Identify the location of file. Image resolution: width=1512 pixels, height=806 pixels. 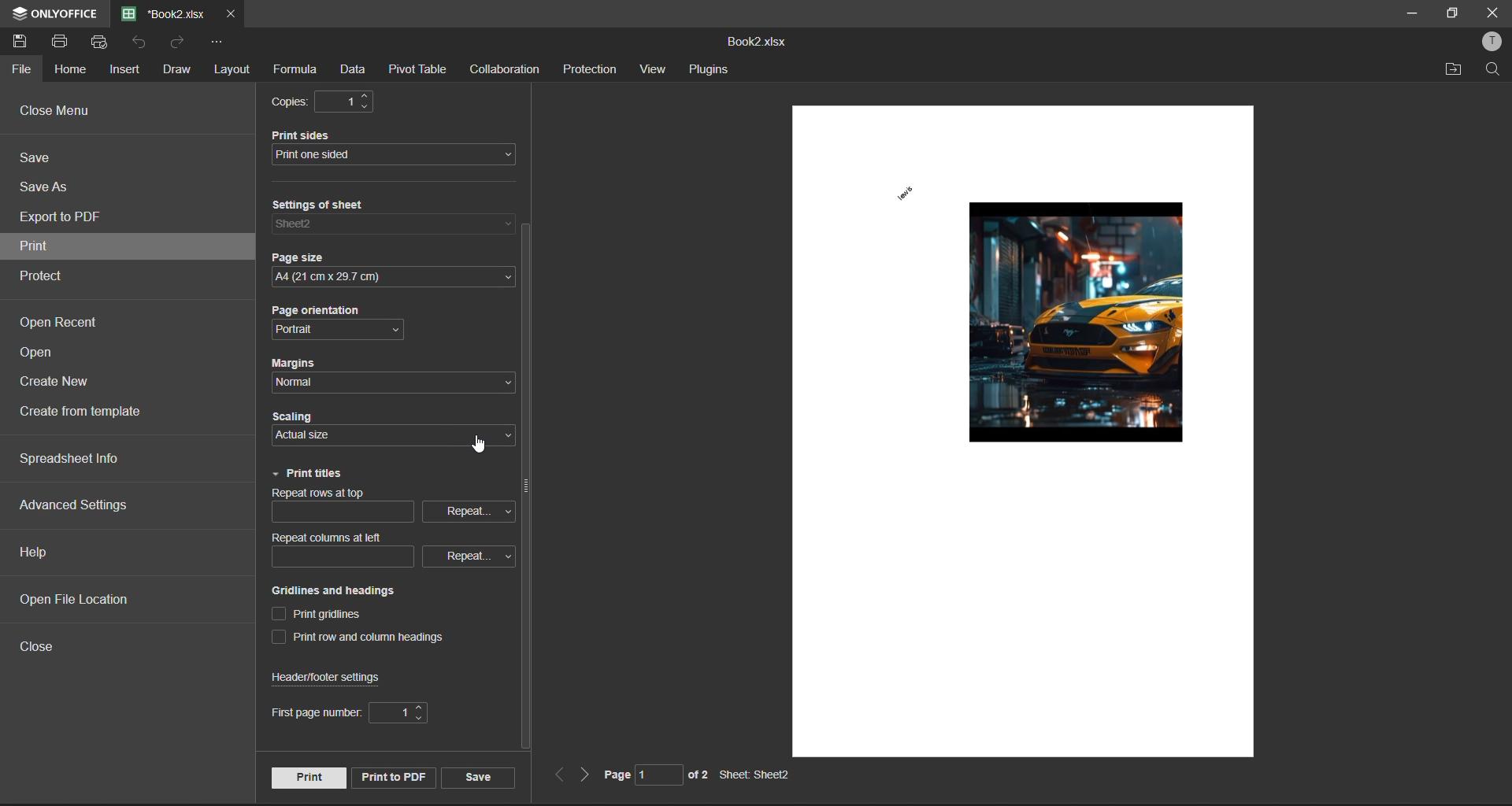
(24, 70).